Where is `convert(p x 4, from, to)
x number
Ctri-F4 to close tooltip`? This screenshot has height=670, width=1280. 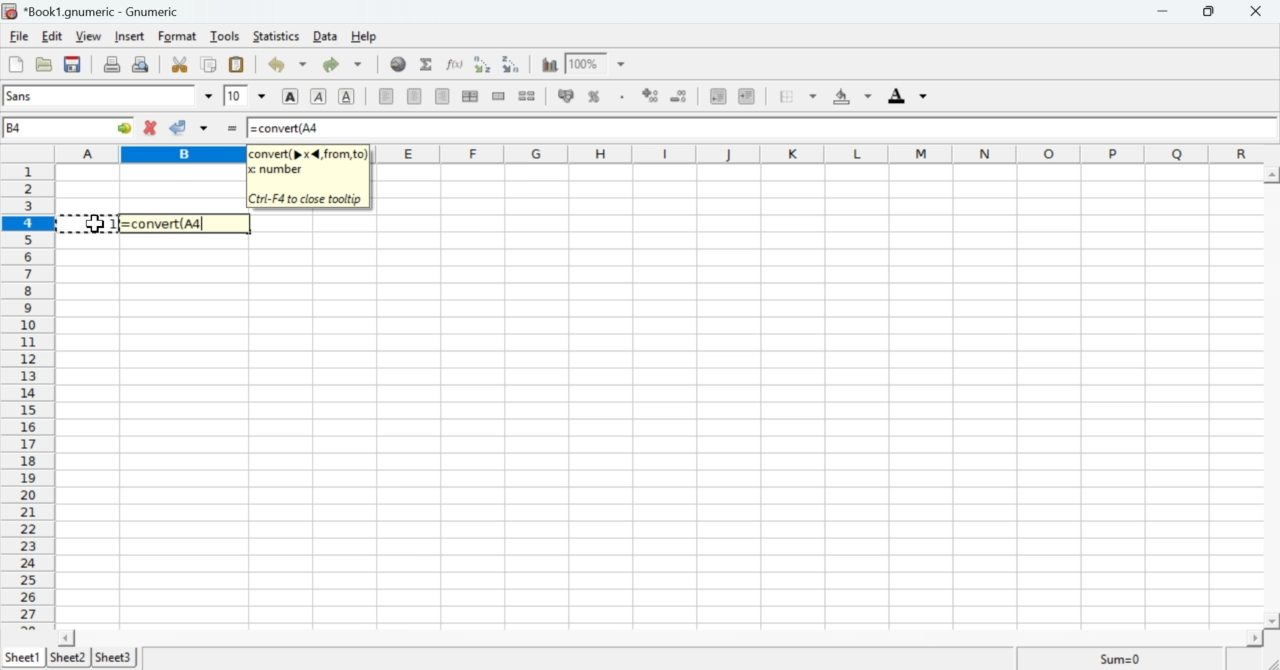
convert(p x 4, from, to)
x number
Ctri-F4 to close tooltip is located at coordinates (308, 176).